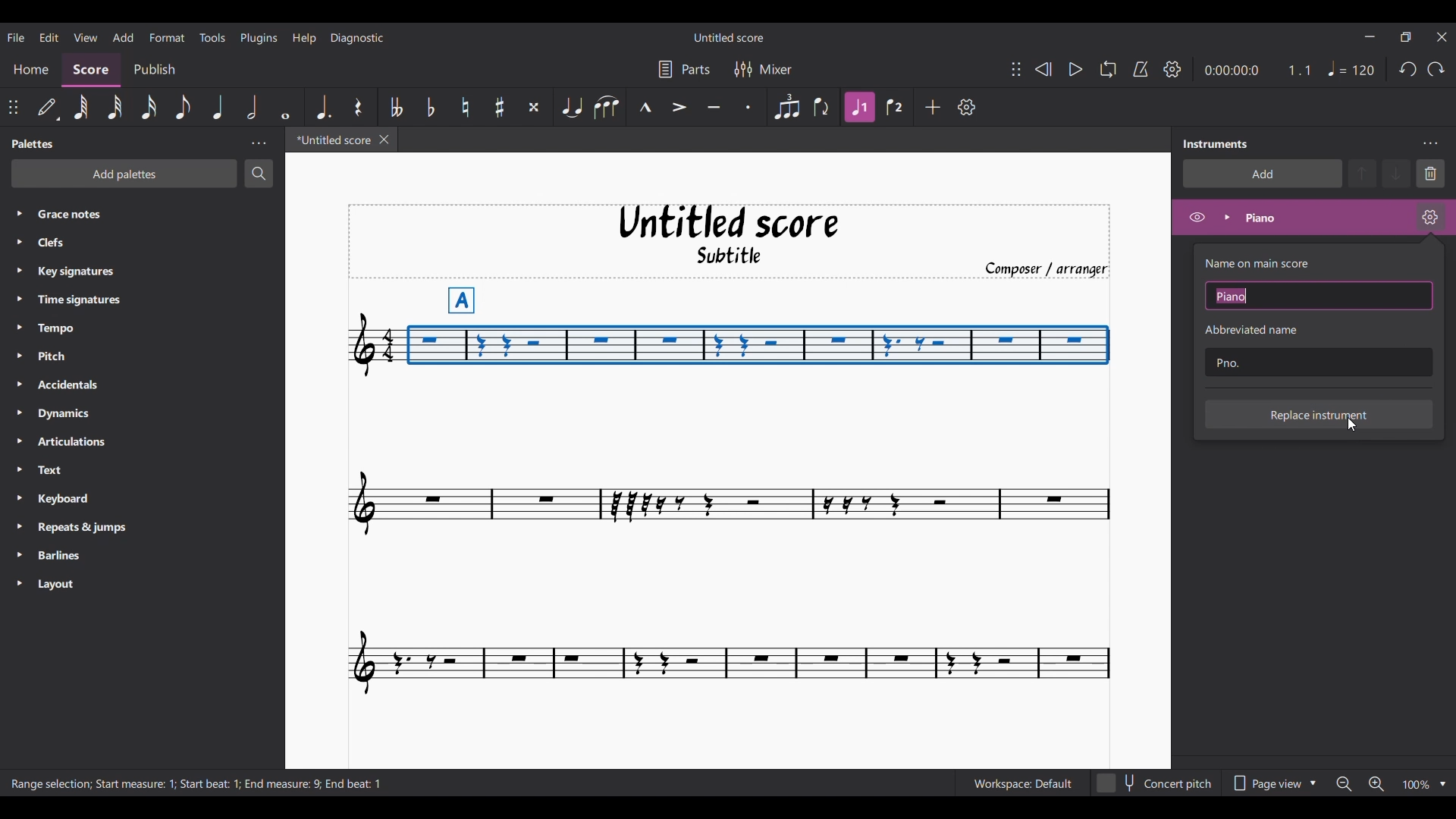 Image resolution: width=1456 pixels, height=819 pixels. Describe the element at coordinates (1442, 37) in the screenshot. I see `Close interface` at that location.